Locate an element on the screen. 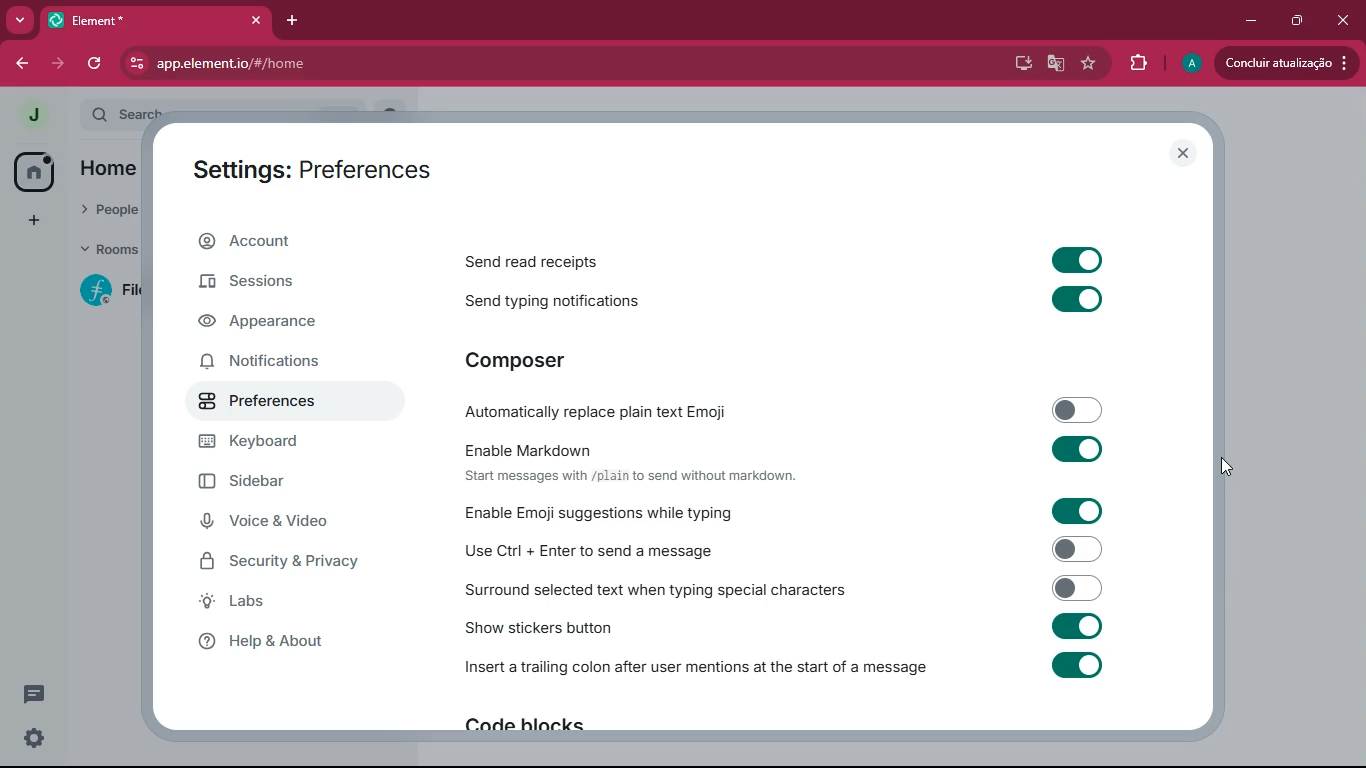  help is located at coordinates (282, 641).